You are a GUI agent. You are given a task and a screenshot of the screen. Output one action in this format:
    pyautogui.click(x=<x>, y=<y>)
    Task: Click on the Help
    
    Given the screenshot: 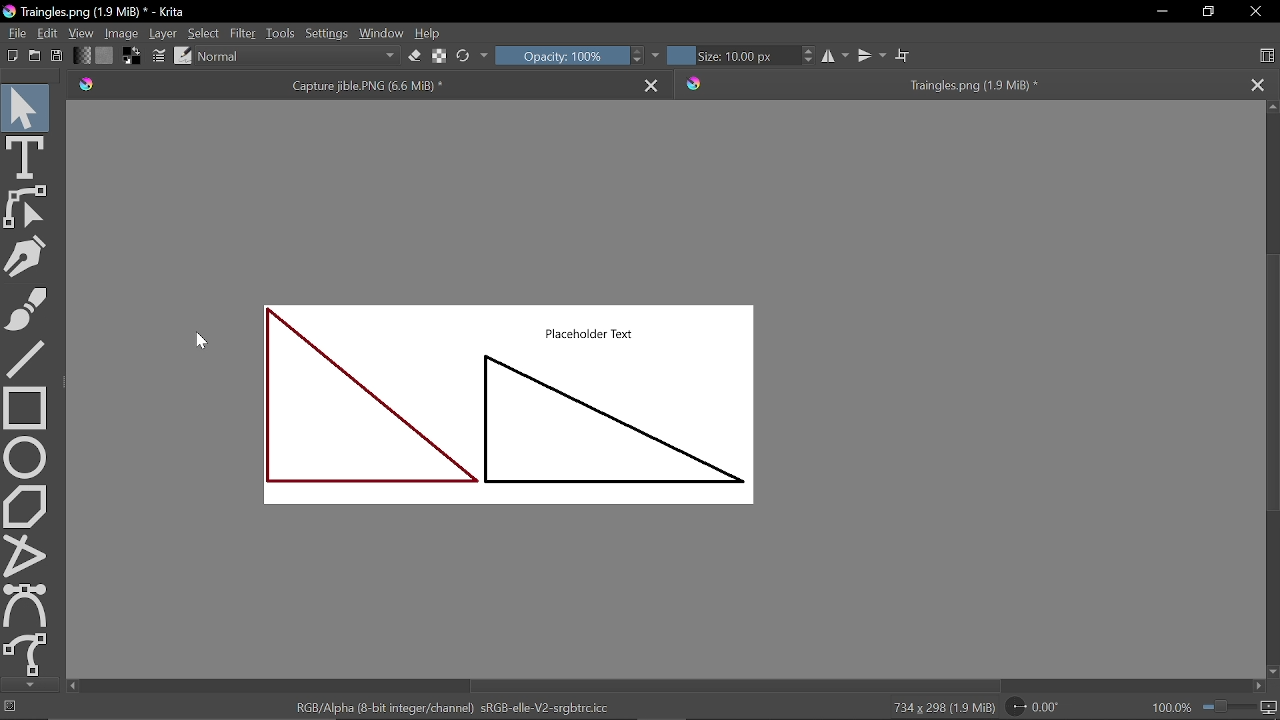 What is the action you would take?
    pyautogui.click(x=429, y=33)
    